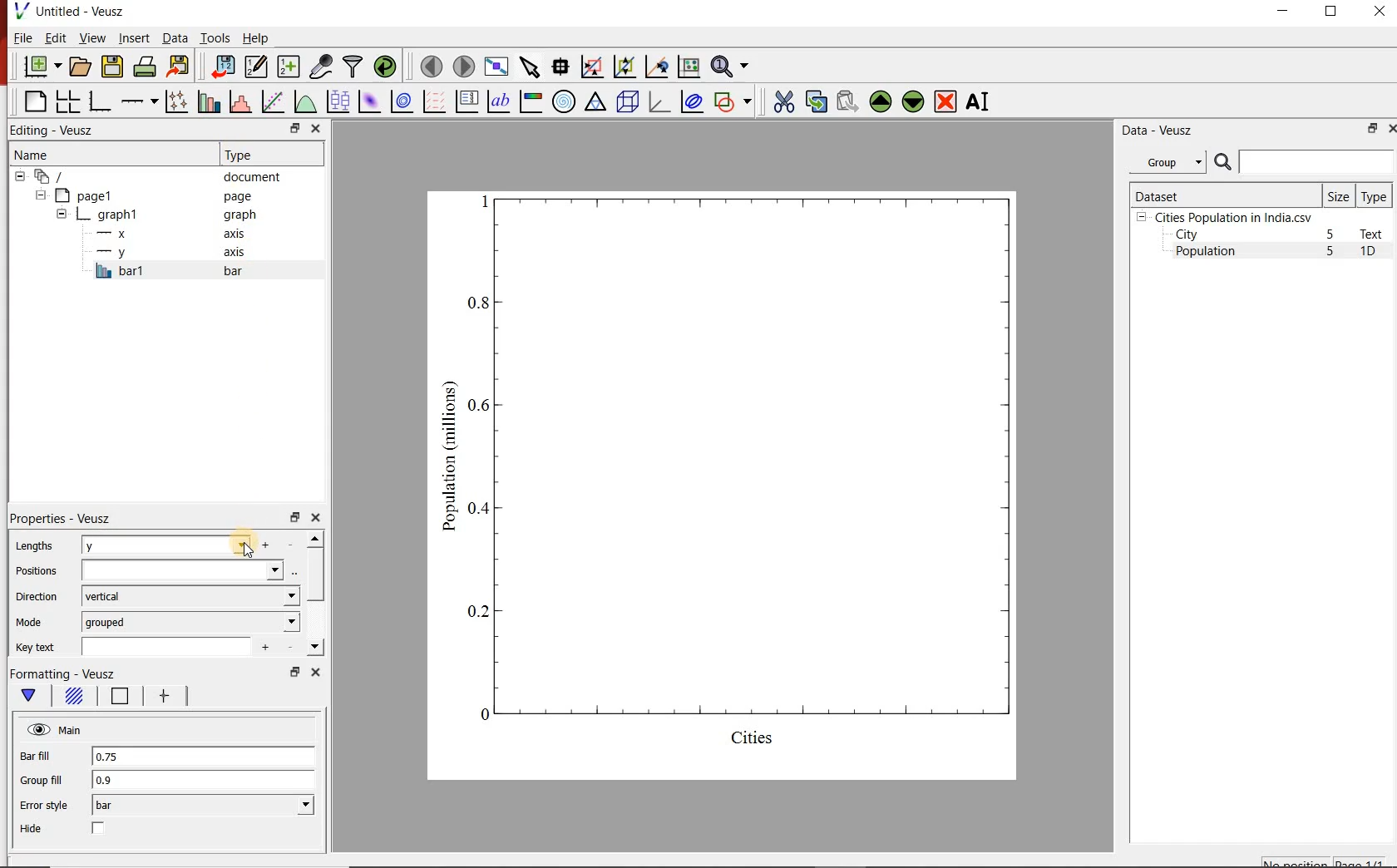 This screenshot has height=868, width=1397. Describe the element at coordinates (337, 101) in the screenshot. I see `plot box plots` at that location.